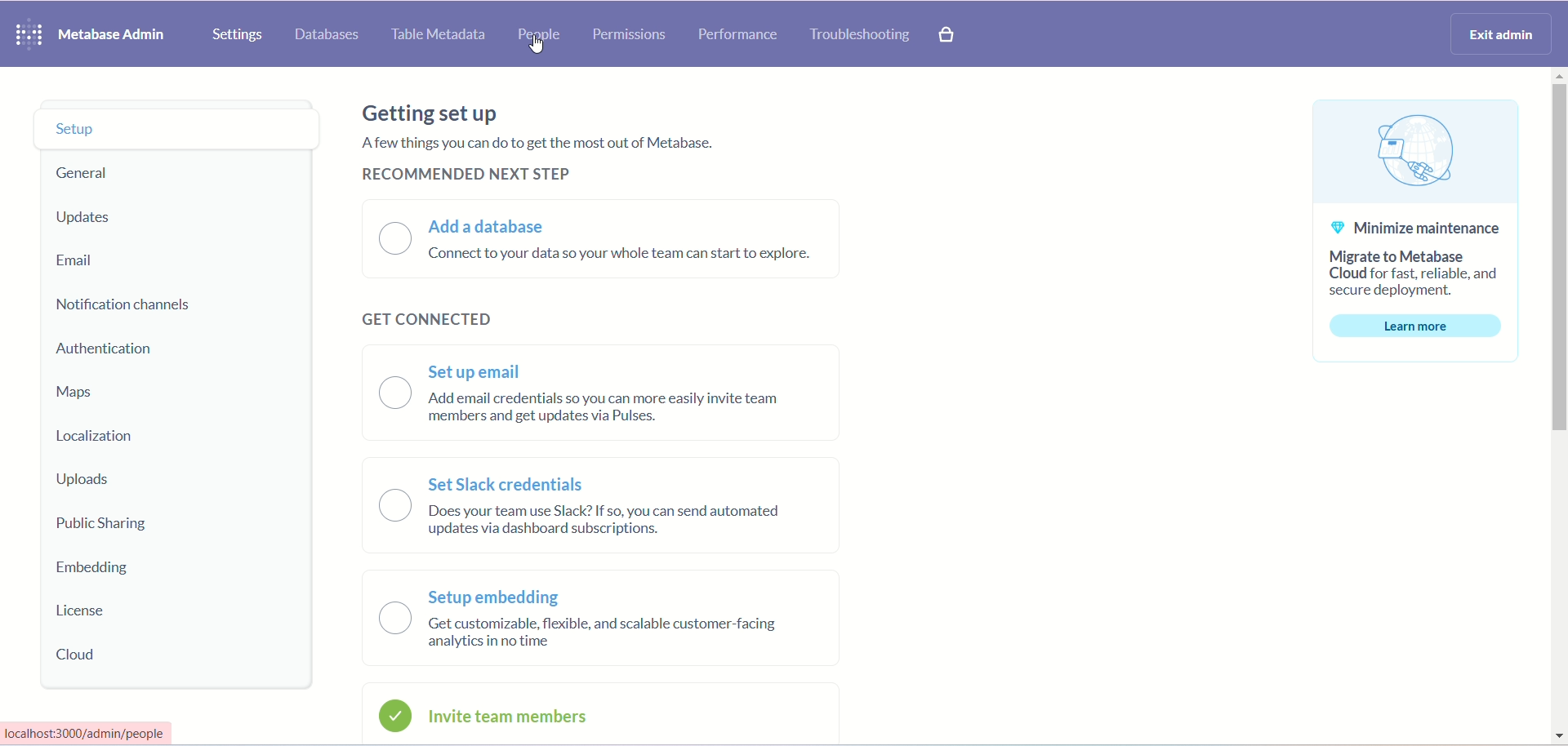  What do you see at coordinates (129, 306) in the screenshot?
I see `notification` at bounding box center [129, 306].